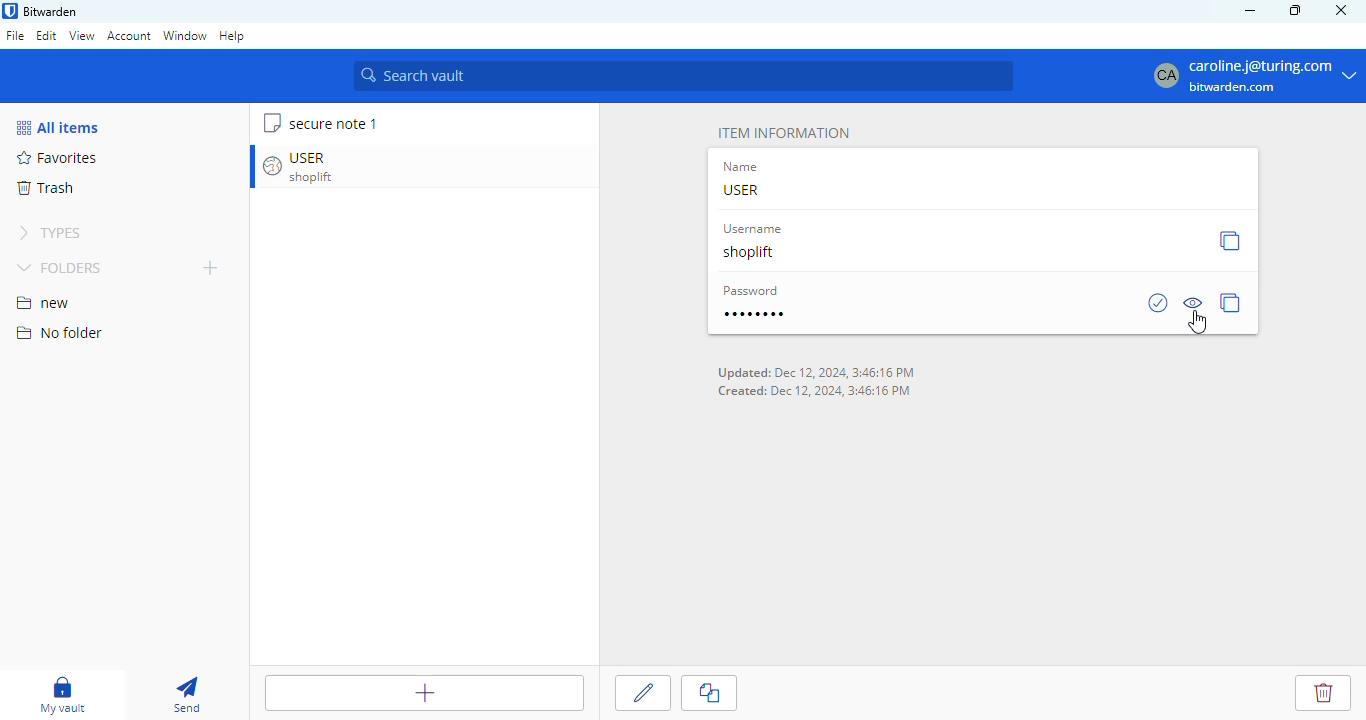  I want to click on password, so click(751, 292).